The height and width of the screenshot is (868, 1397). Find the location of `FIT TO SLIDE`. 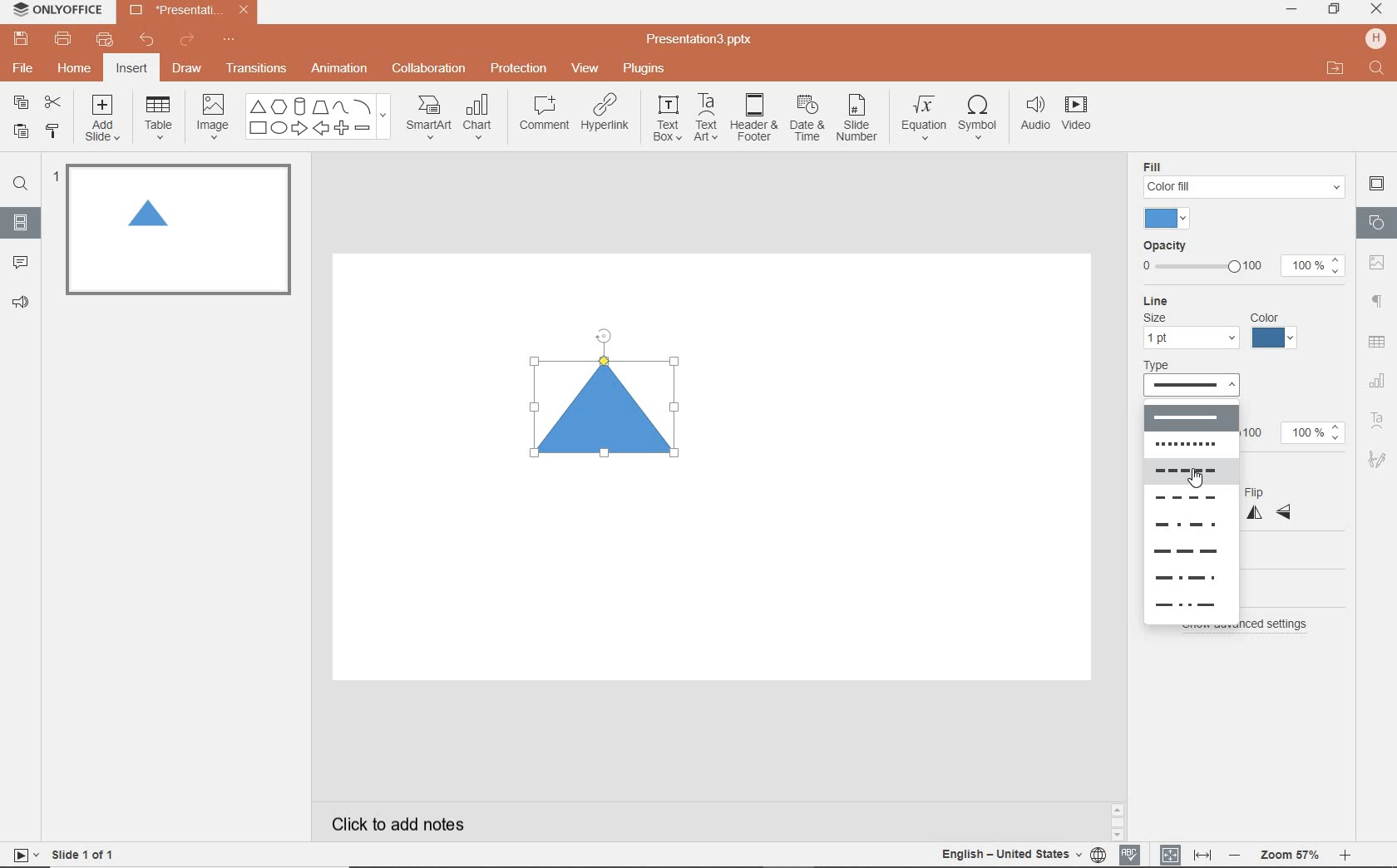

FIT TO SLIDE is located at coordinates (1169, 856).